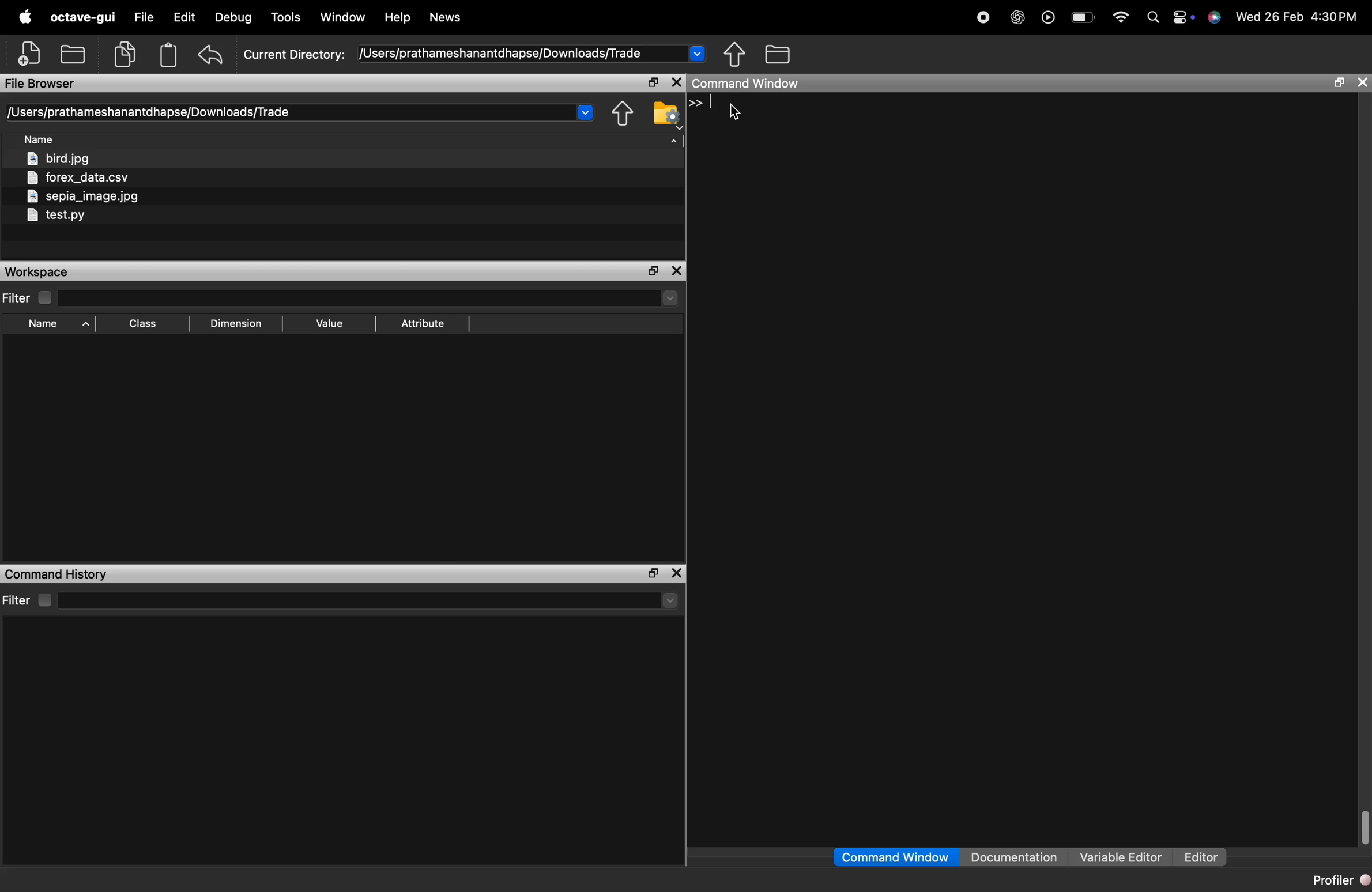  I want to click on support, so click(1215, 18).